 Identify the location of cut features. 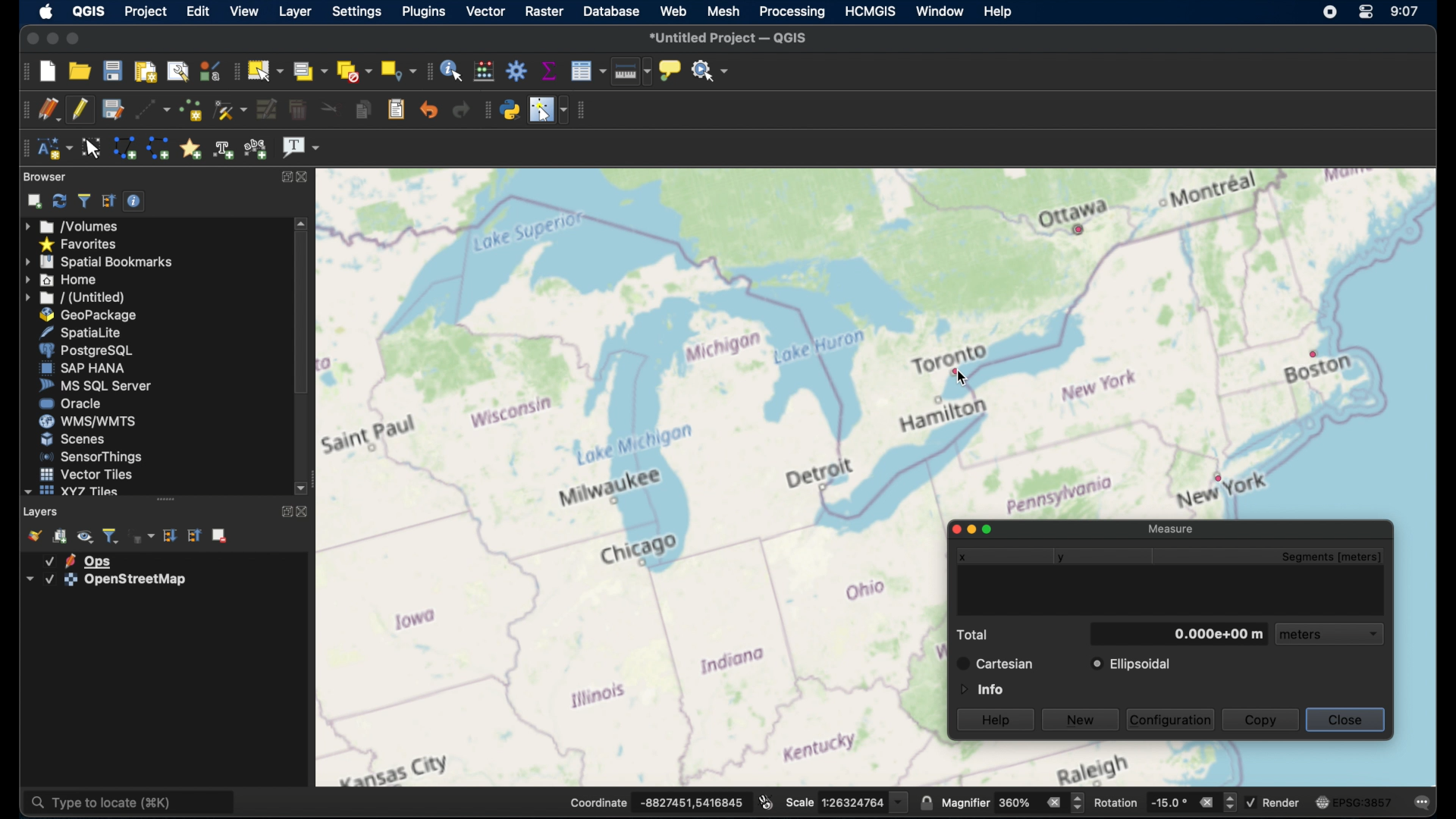
(326, 108).